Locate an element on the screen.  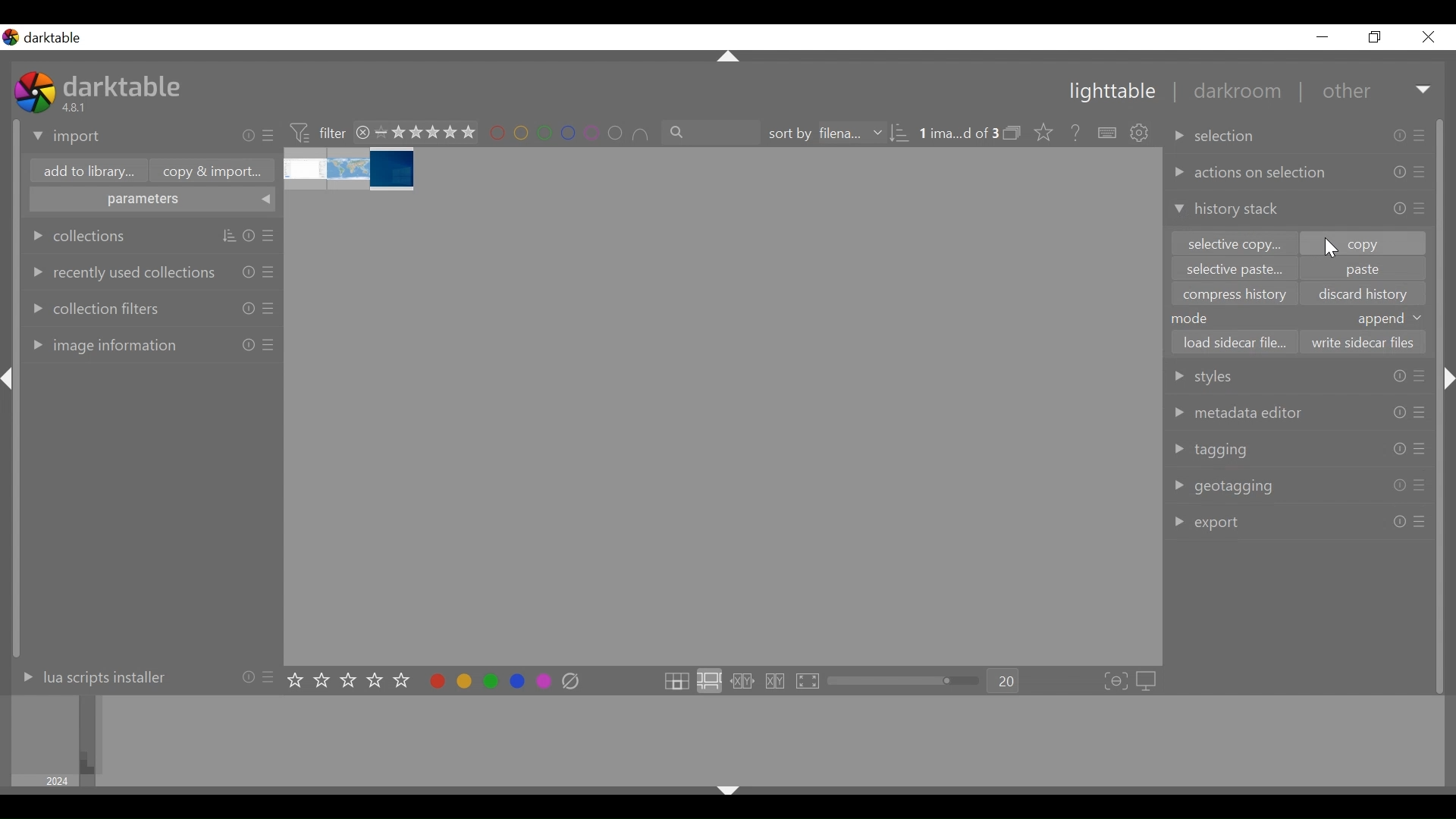
logo is located at coordinates (35, 92).